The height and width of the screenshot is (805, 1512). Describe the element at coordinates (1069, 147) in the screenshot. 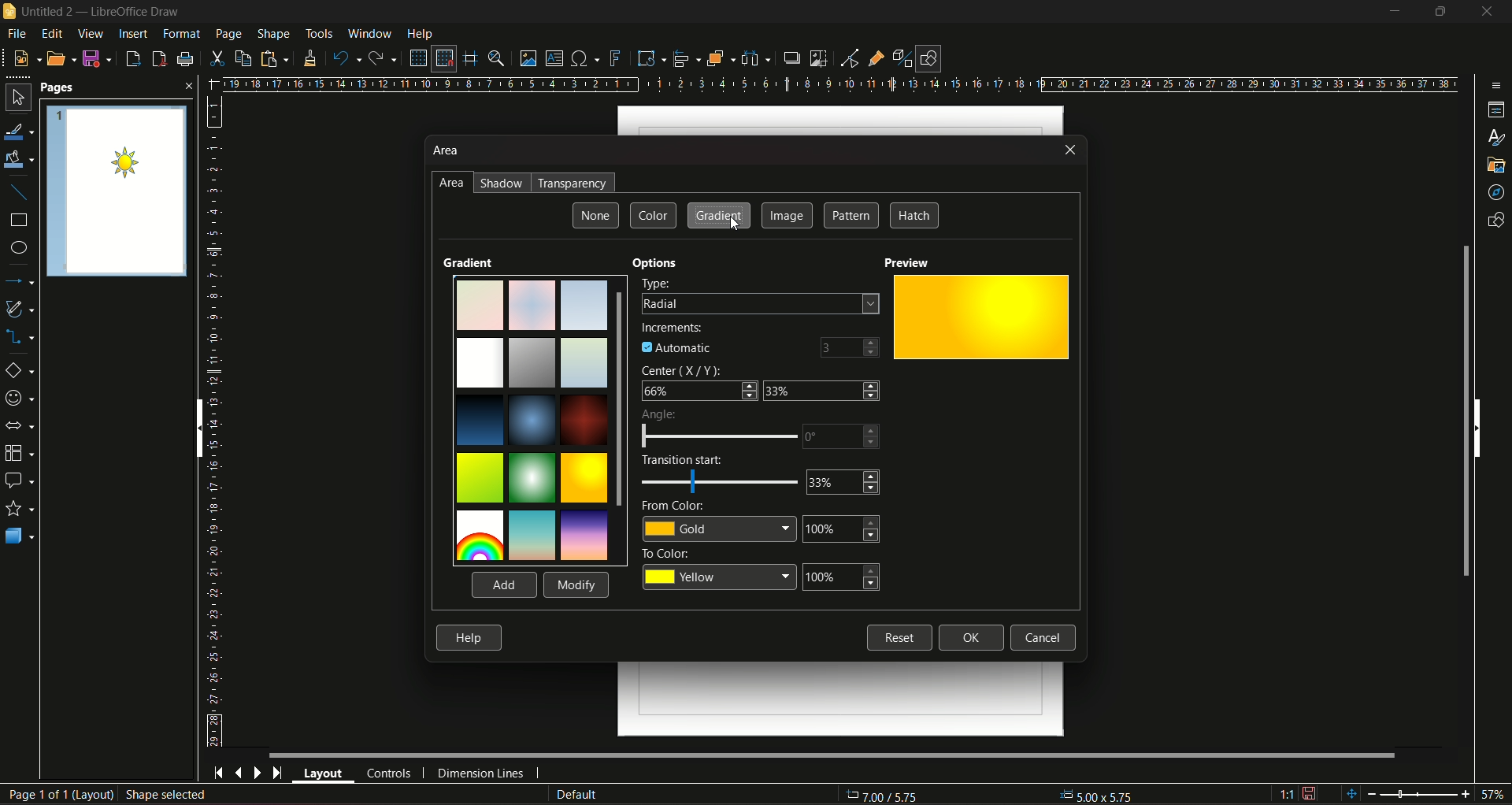

I see `close` at that location.